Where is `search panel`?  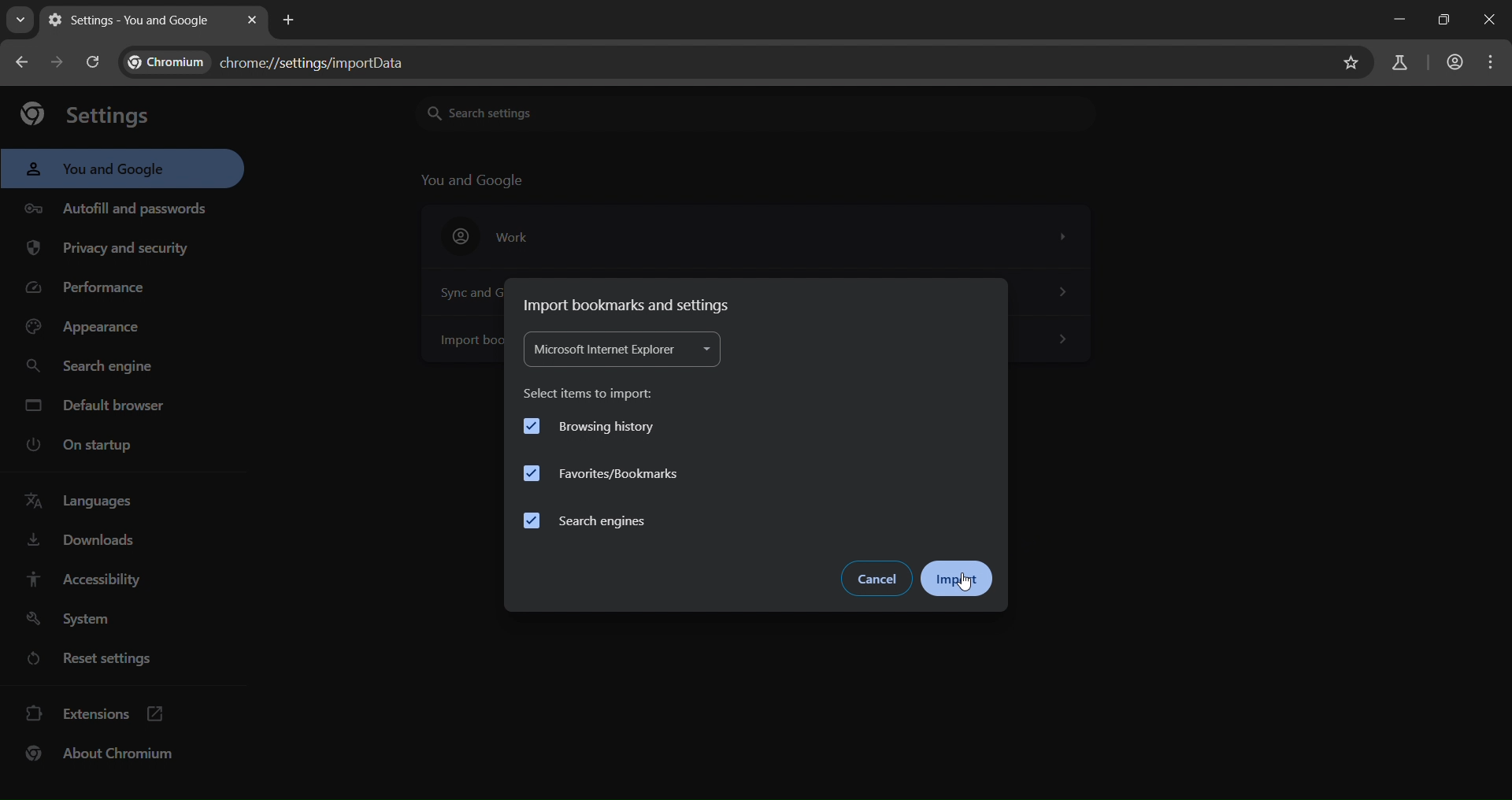
search panel is located at coordinates (274, 63).